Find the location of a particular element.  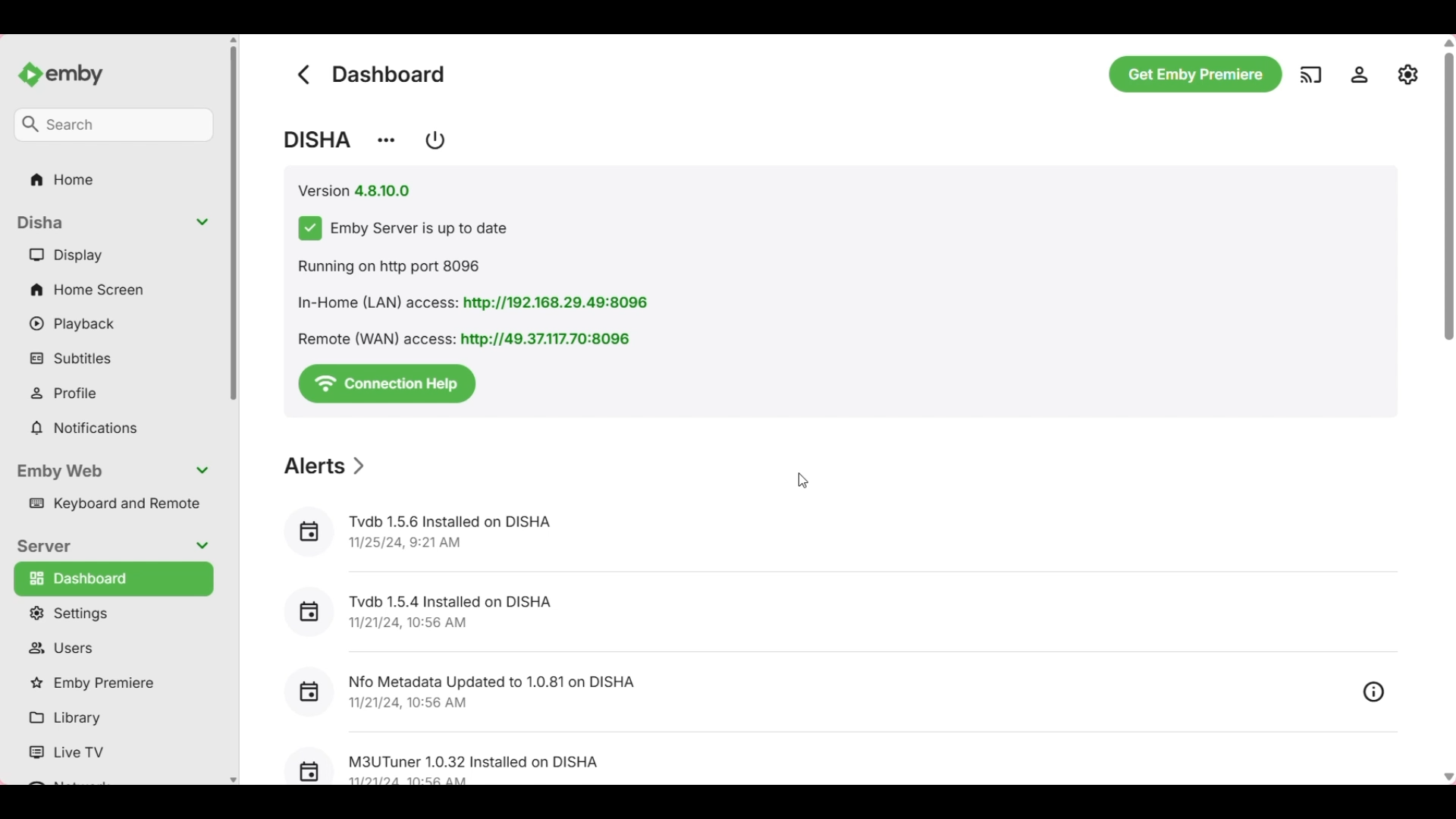

Settings is located at coordinates (1359, 74).